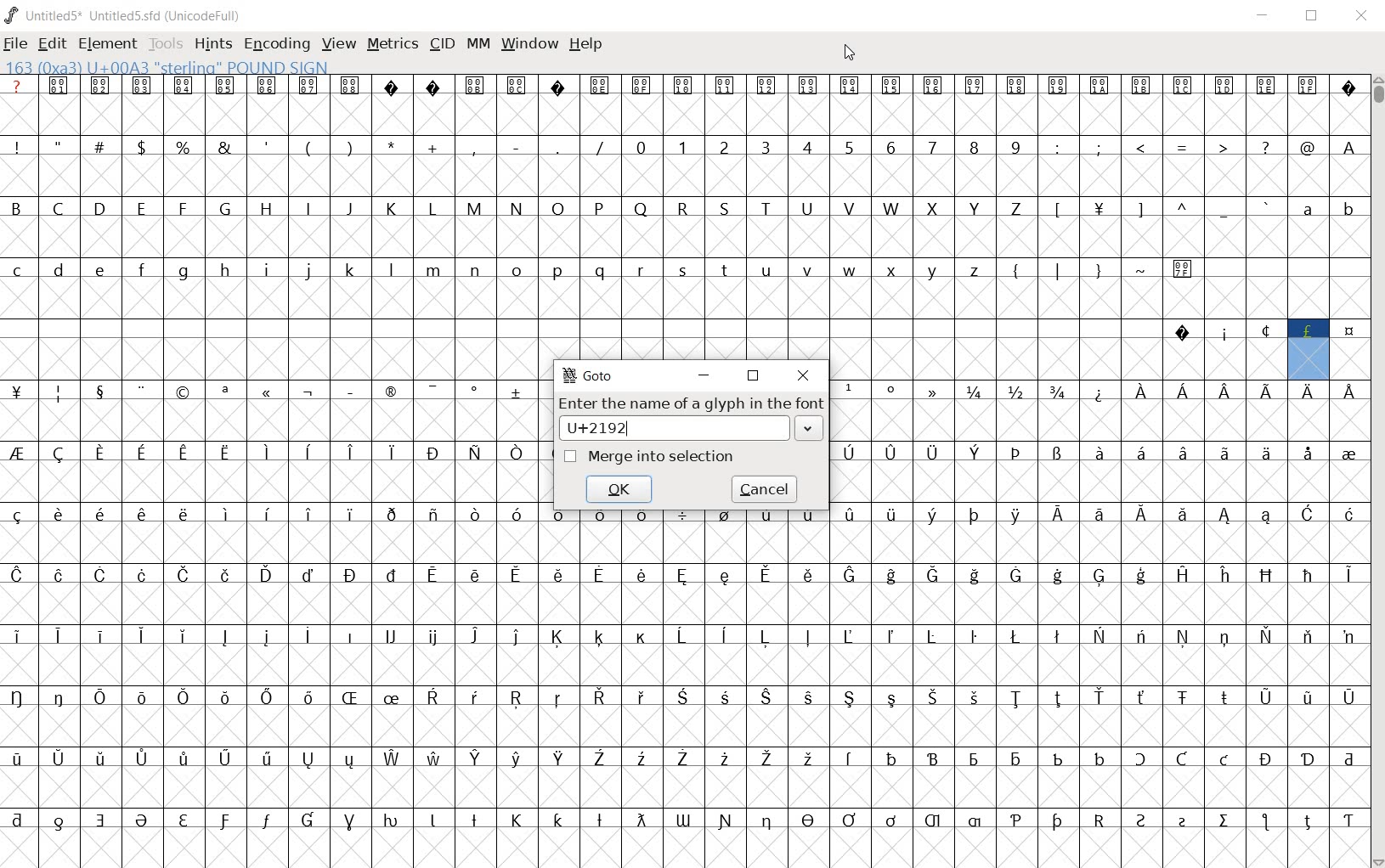 The height and width of the screenshot is (868, 1385). I want to click on MINIMIZE, so click(1264, 15).